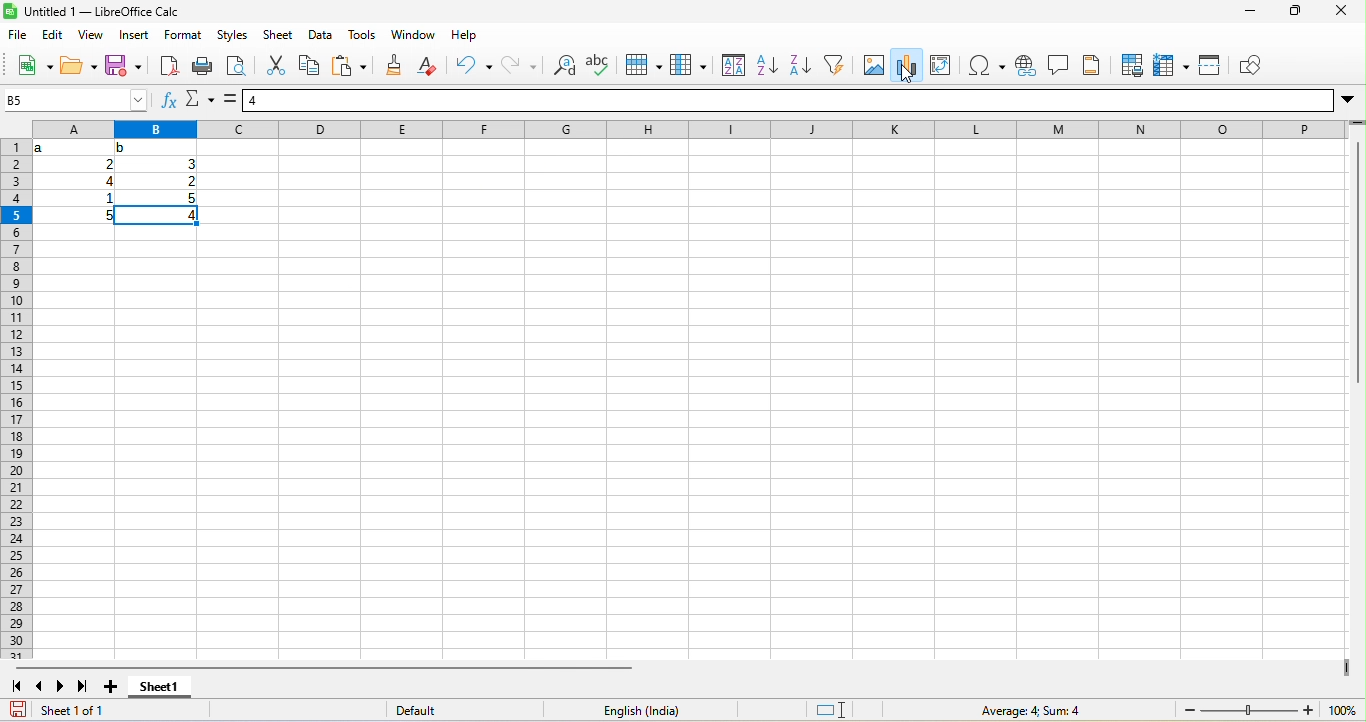 This screenshot has height=722, width=1366. Describe the element at coordinates (79, 65) in the screenshot. I see `open` at that location.